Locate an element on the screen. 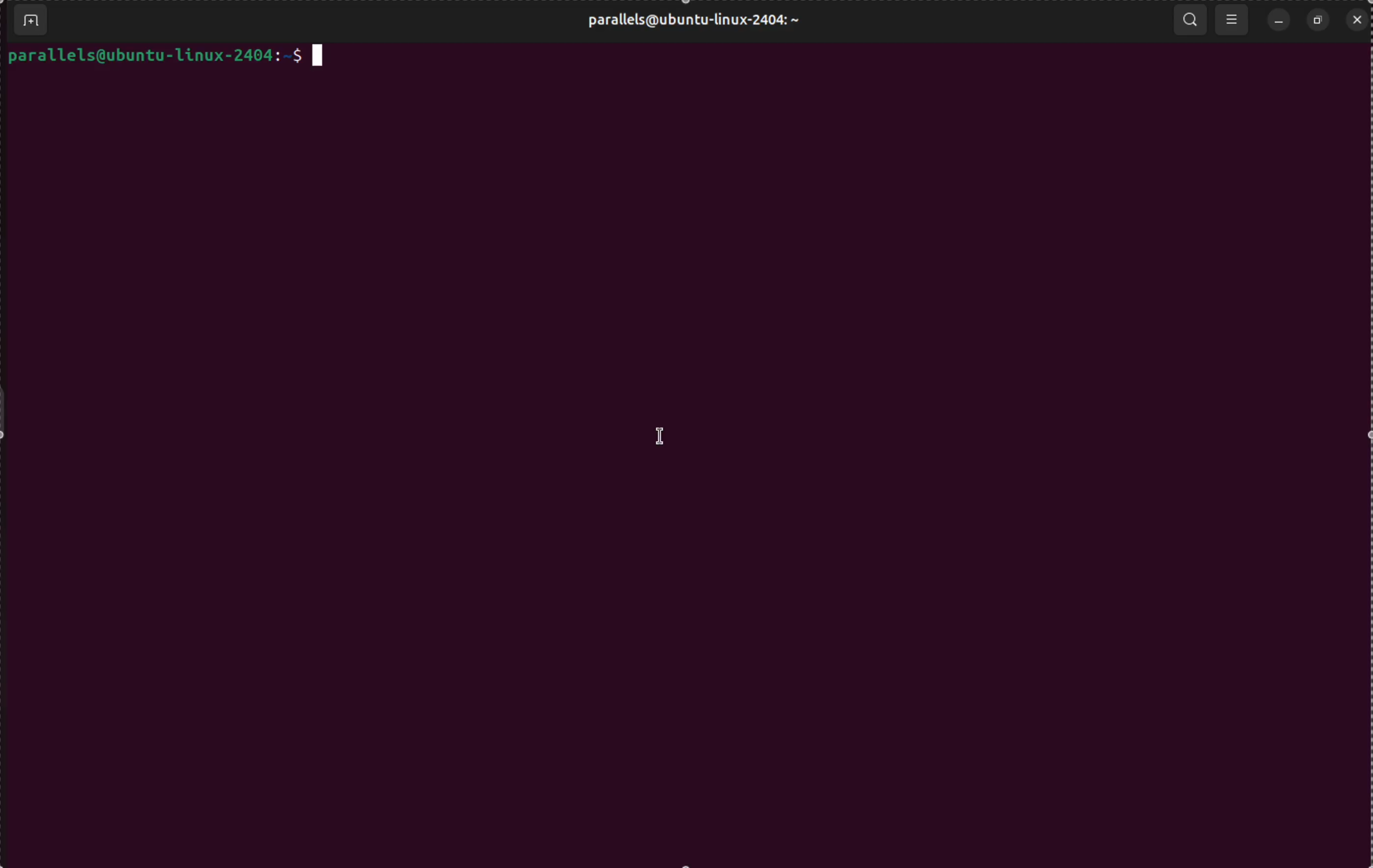  cursor is located at coordinates (319, 55).